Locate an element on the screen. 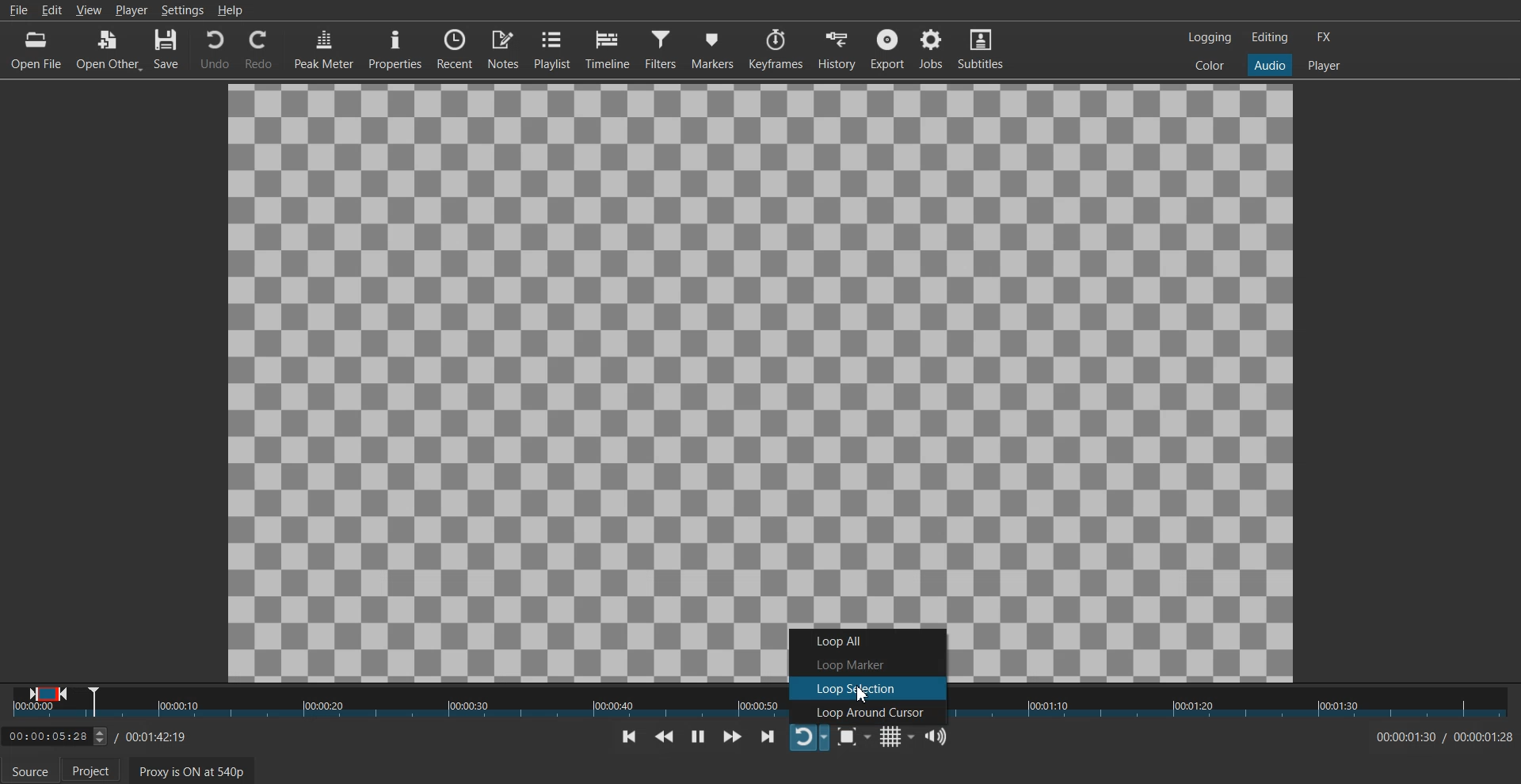  Time is located at coordinates (1439, 737).